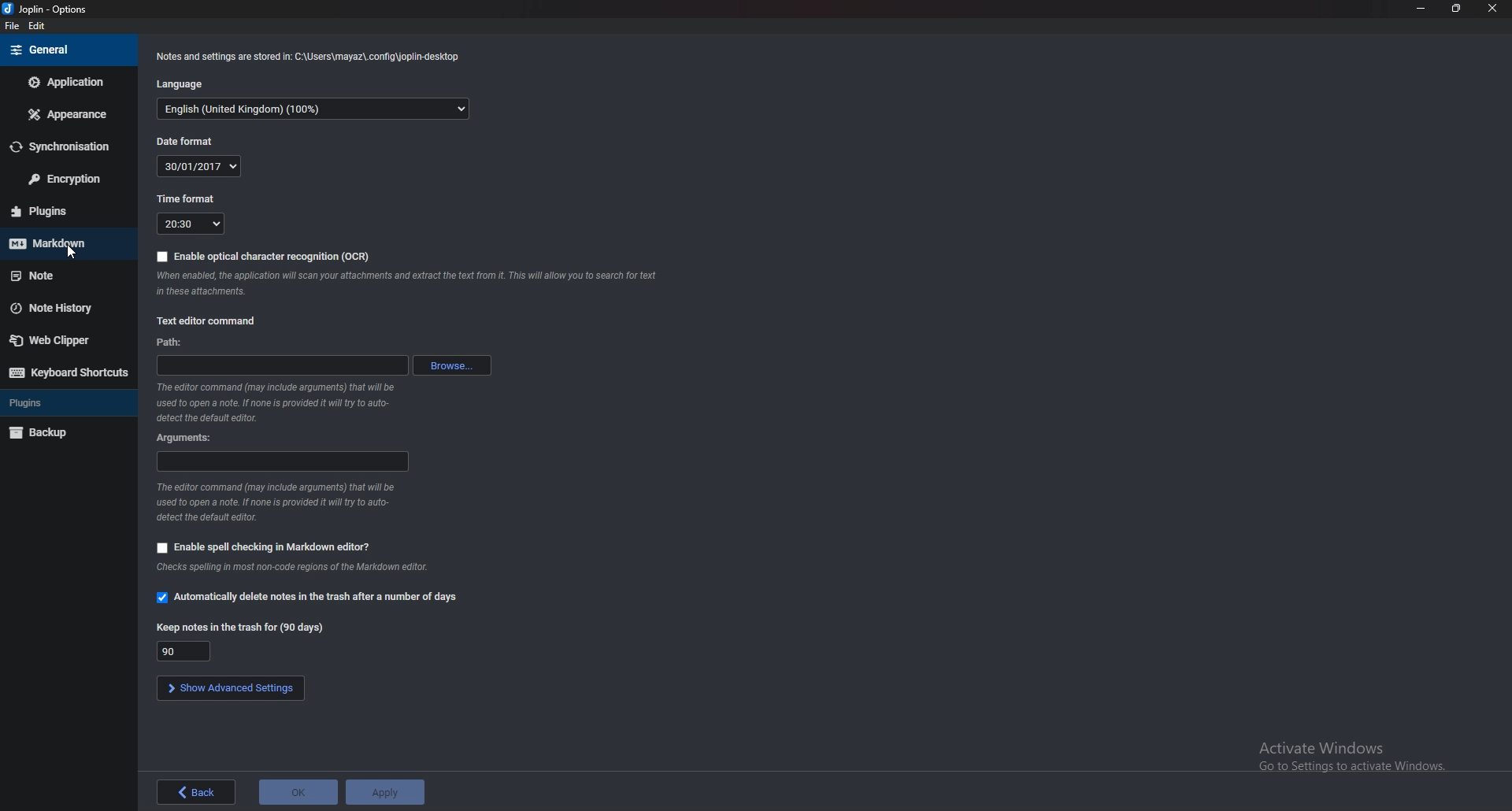 The height and width of the screenshot is (811, 1512). What do you see at coordinates (66, 339) in the screenshot?
I see `Web Clipper` at bounding box center [66, 339].